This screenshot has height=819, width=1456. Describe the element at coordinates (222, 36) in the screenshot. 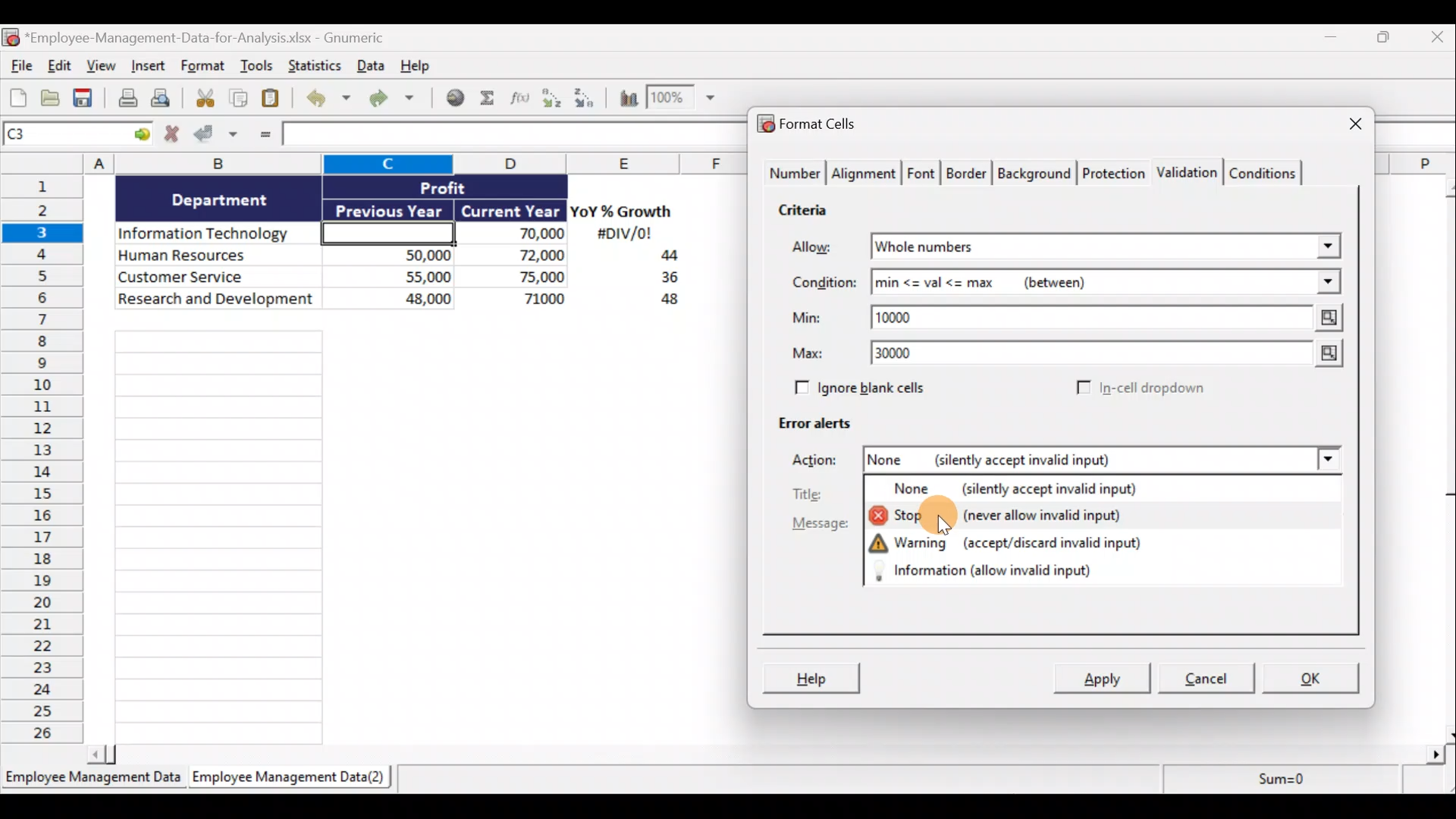

I see `*Employee-Management-Data-for-Analysis.xlsx - Gnumeric` at that location.